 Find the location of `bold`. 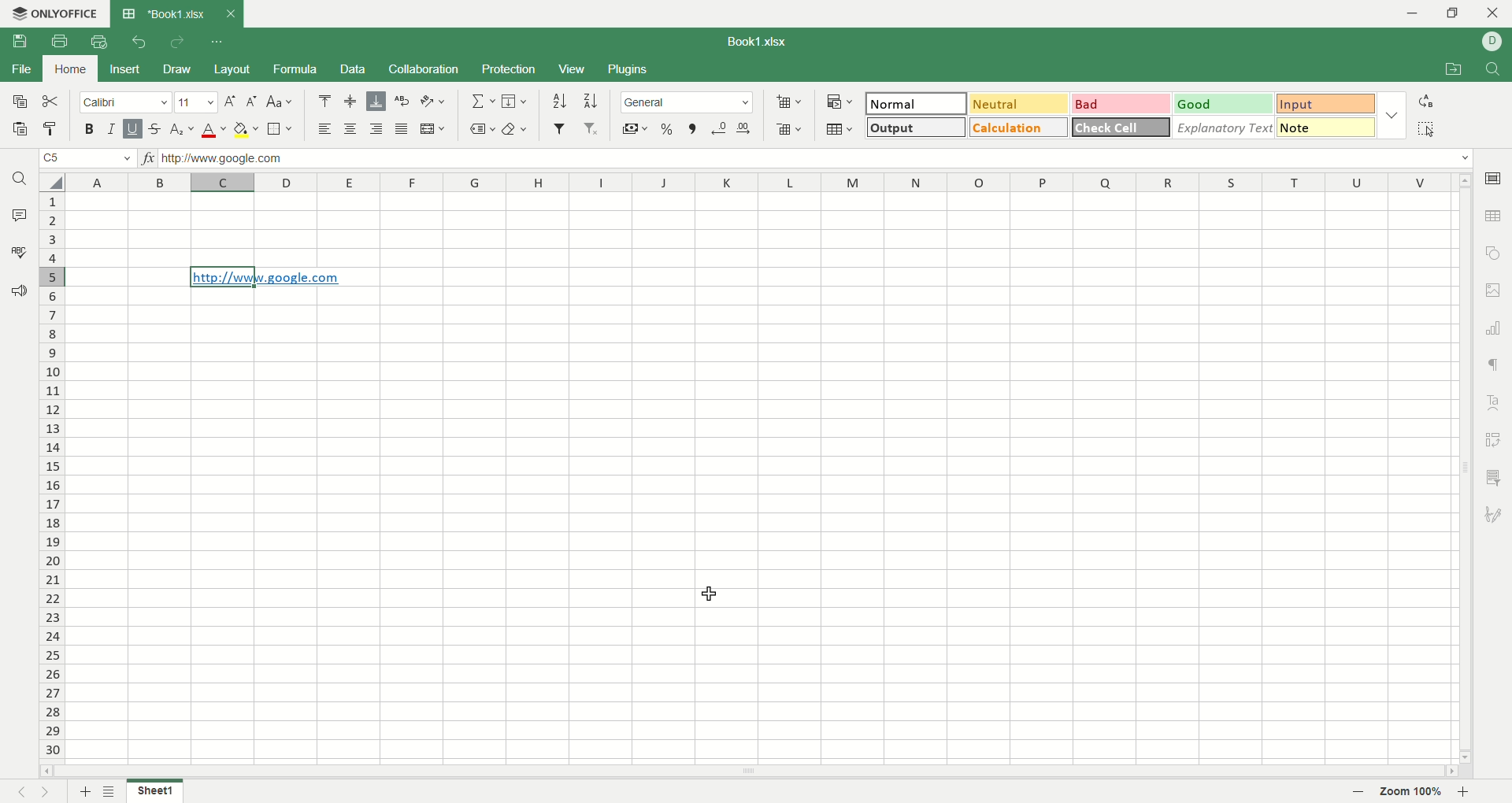

bold is located at coordinates (93, 130).